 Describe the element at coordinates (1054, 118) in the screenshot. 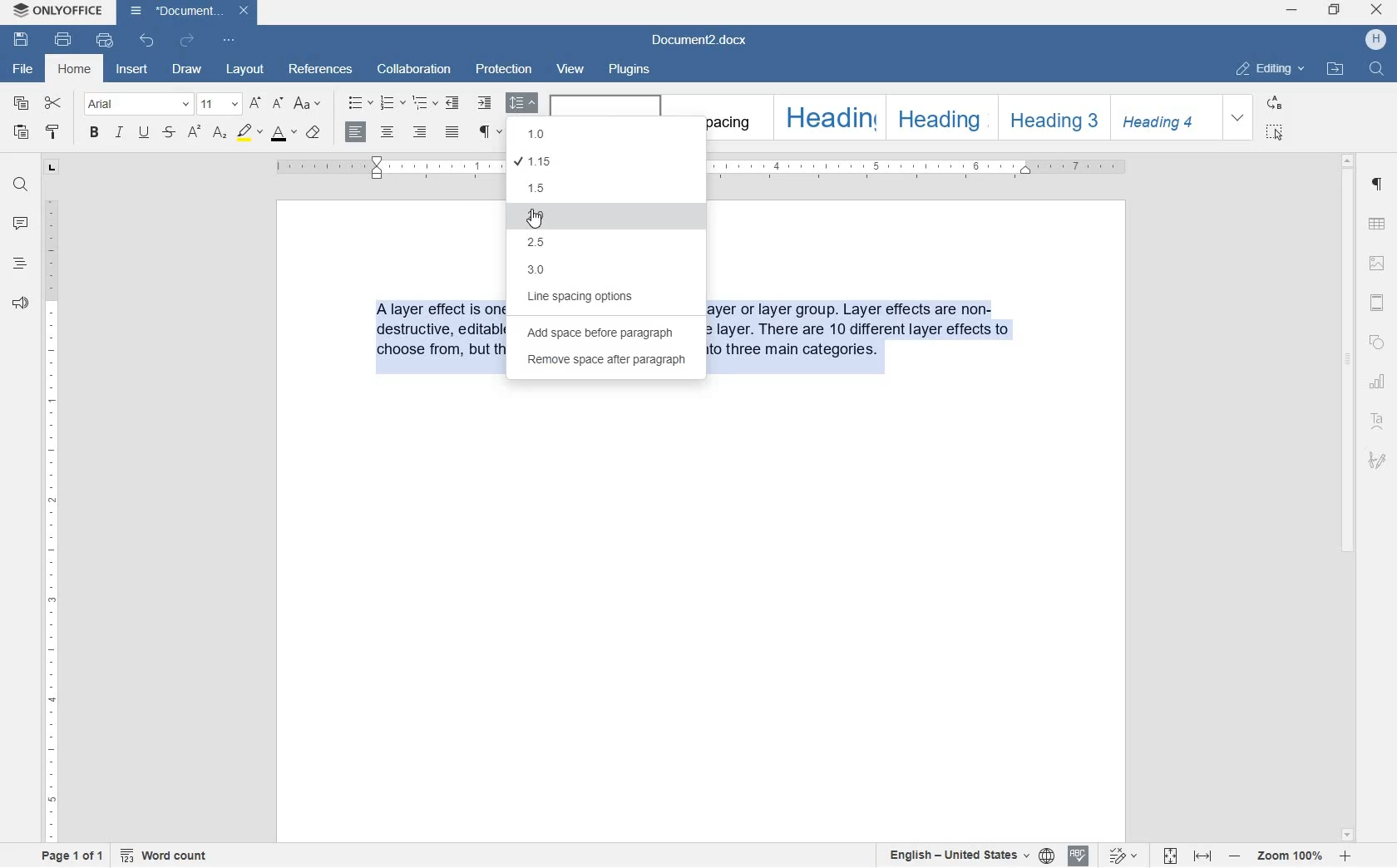

I see `heading 3` at that location.